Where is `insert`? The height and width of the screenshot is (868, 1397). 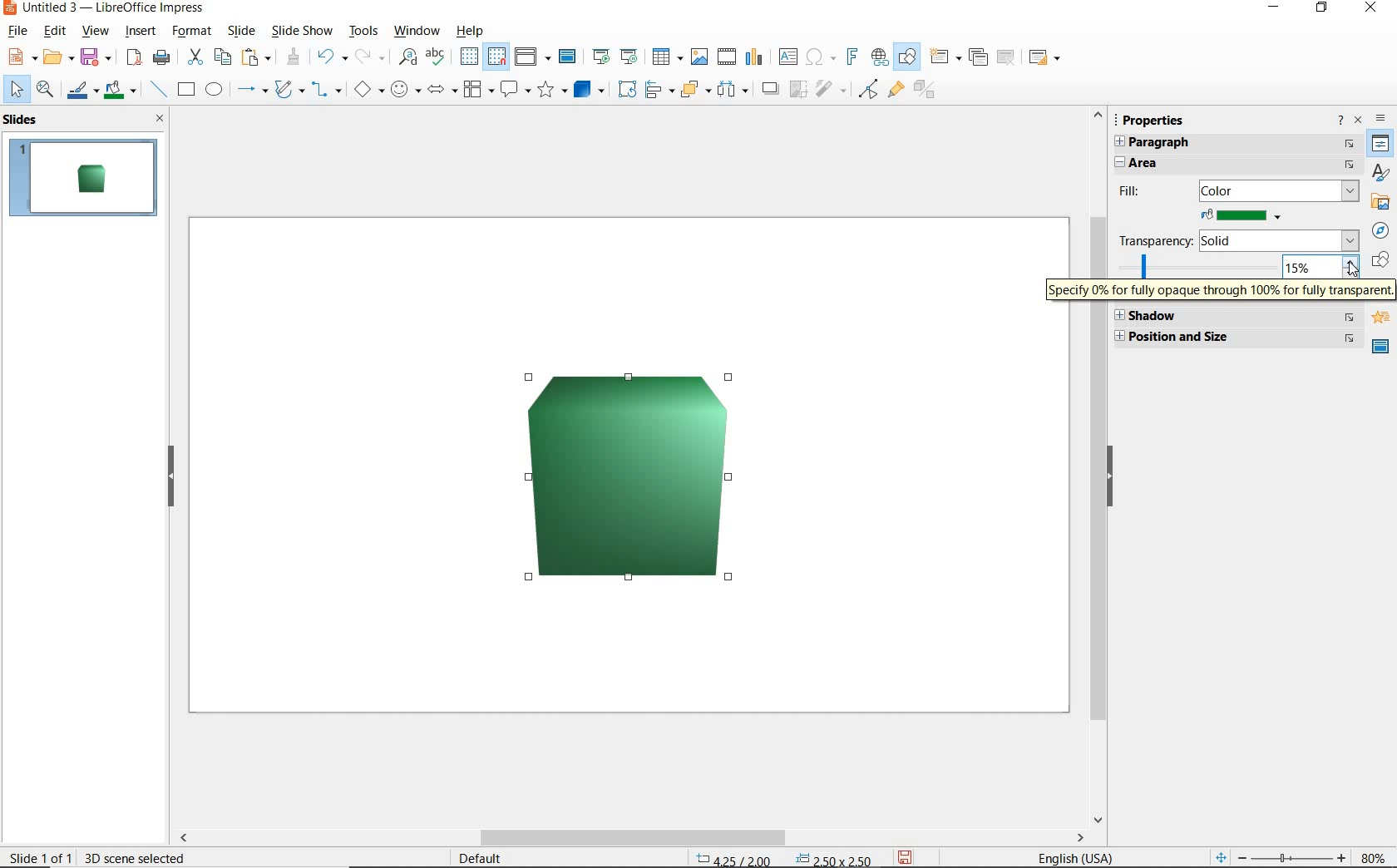
insert is located at coordinates (141, 32).